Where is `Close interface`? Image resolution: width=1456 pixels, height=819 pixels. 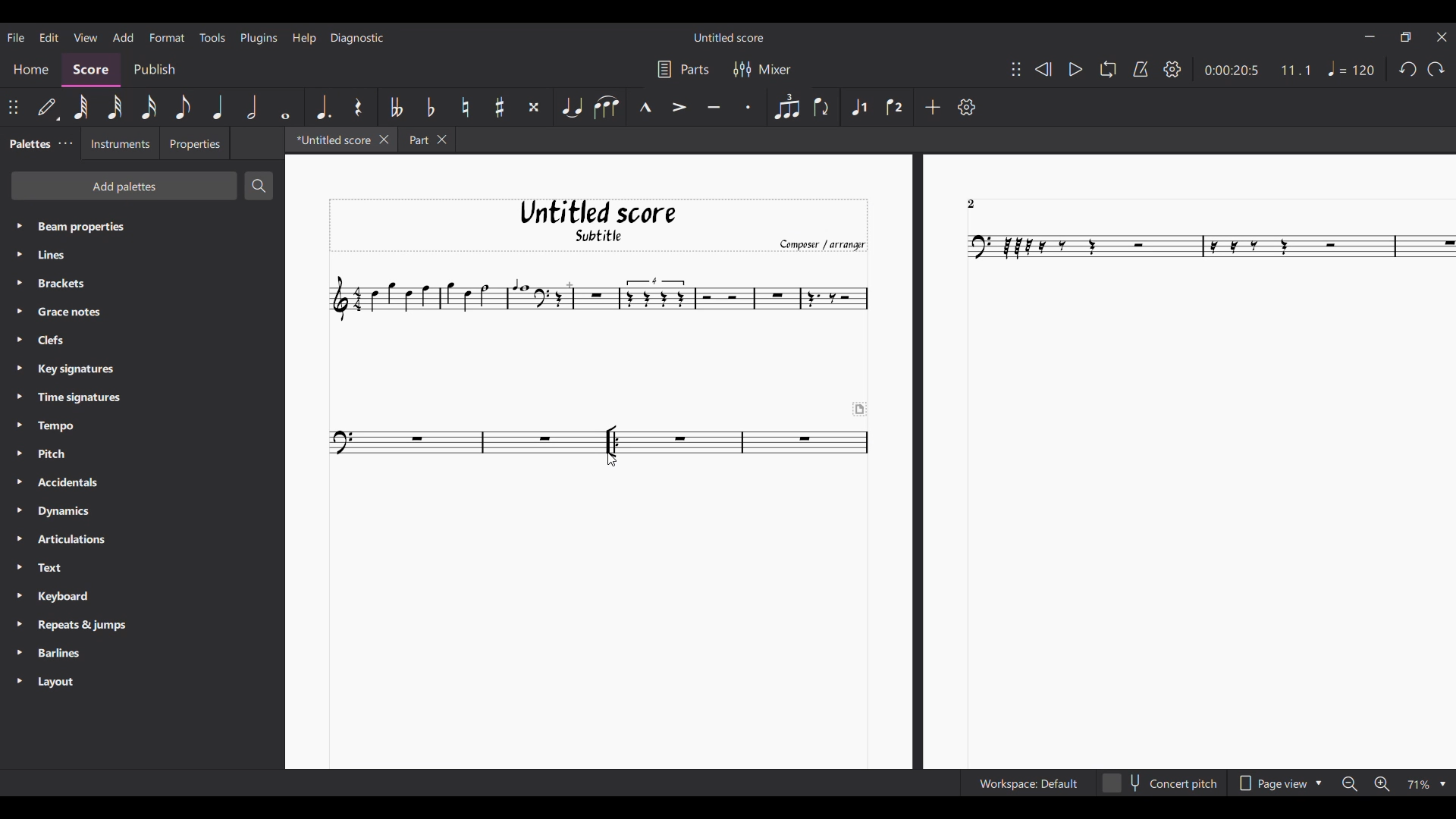
Close interface is located at coordinates (1442, 36).